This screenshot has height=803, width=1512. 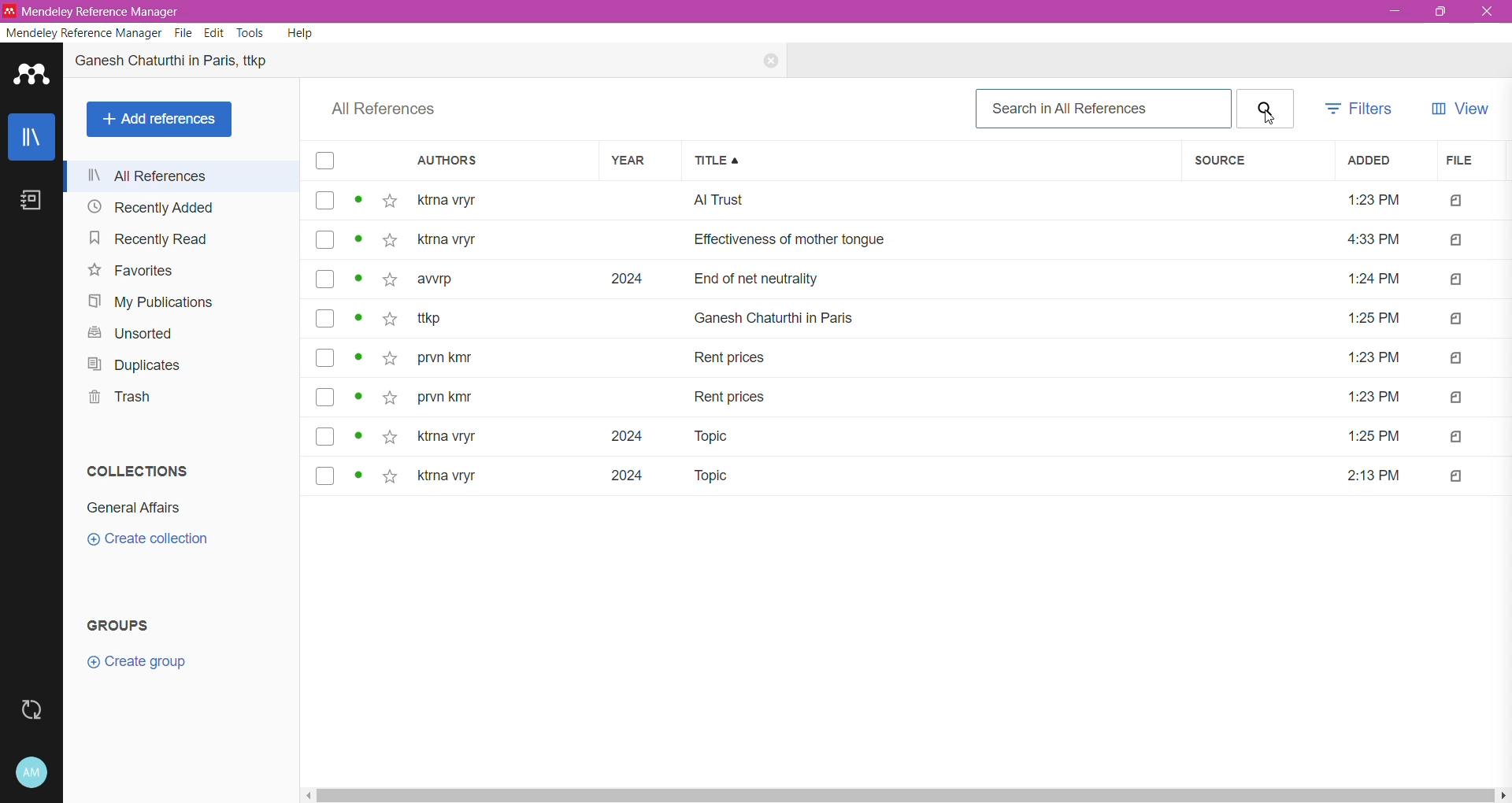 I want to click on Collection Name, so click(x=133, y=509).